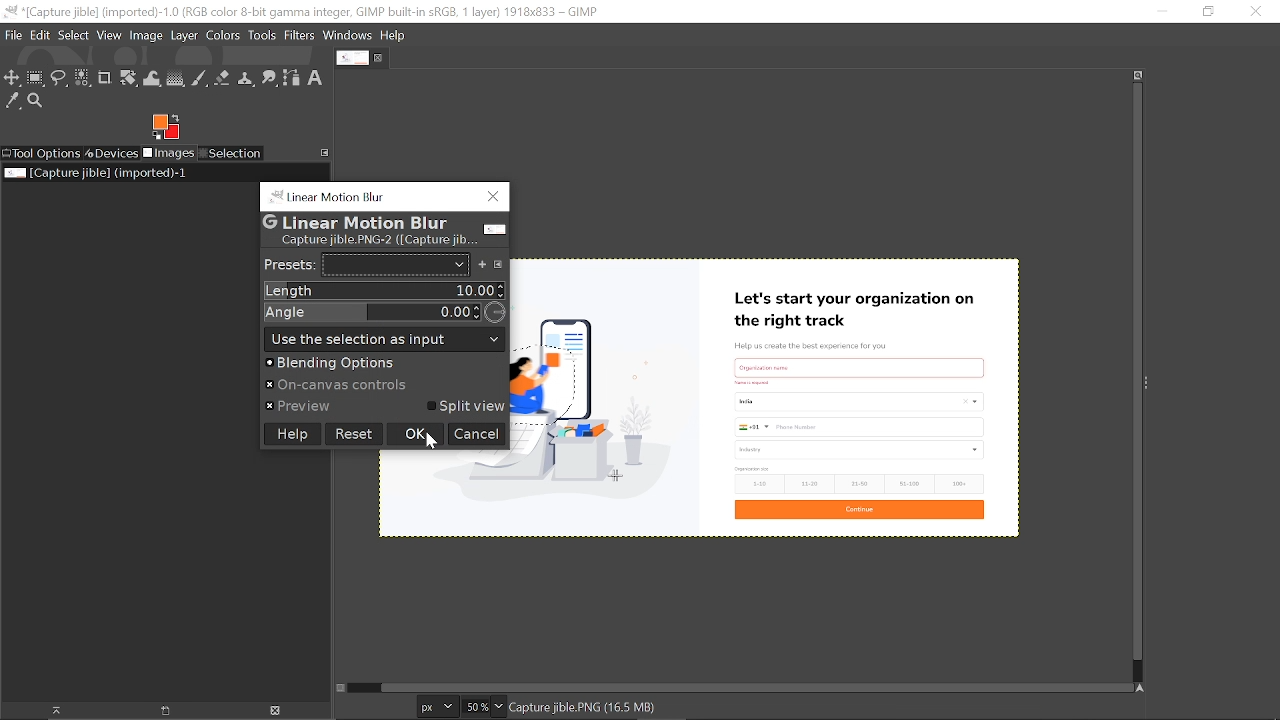  I want to click on use the selection output, so click(384, 338).